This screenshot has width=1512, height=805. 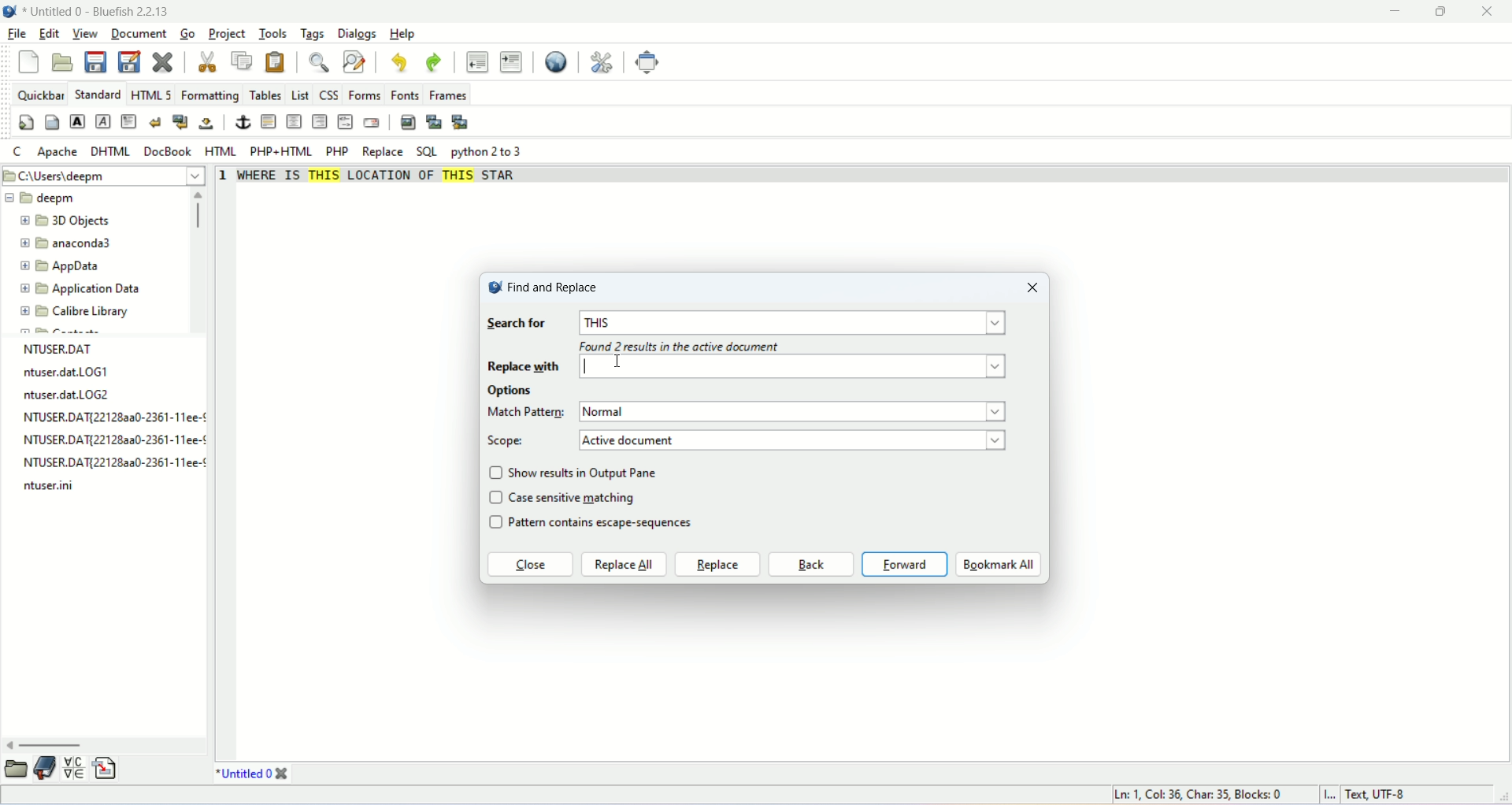 What do you see at coordinates (223, 151) in the screenshot?
I see `HTML` at bounding box center [223, 151].